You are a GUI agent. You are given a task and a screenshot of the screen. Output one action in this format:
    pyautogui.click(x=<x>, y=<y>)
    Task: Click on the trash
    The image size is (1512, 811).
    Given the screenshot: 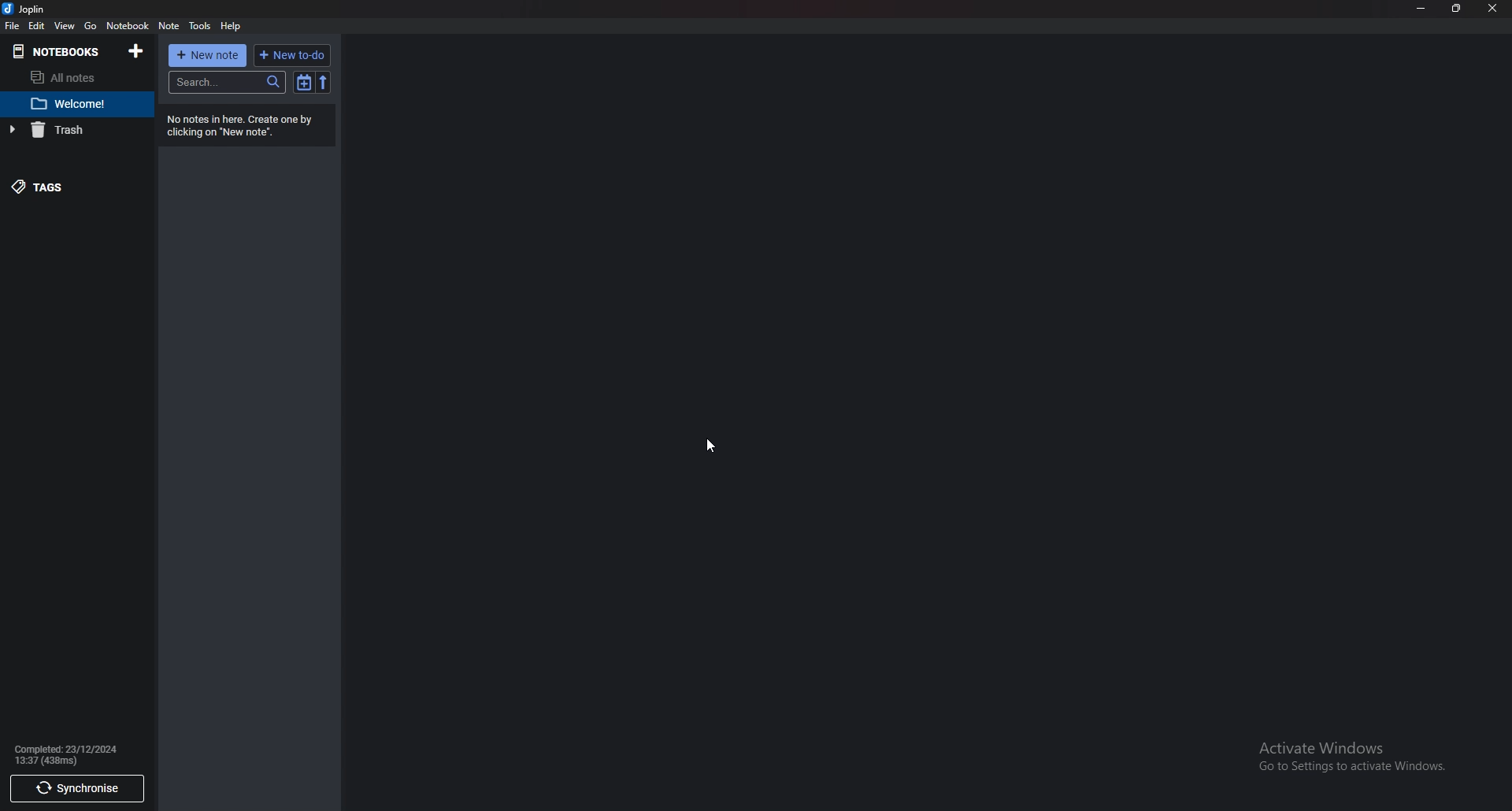 What is the action you would take?
    pyautogui.click(x=65, y=131)
    